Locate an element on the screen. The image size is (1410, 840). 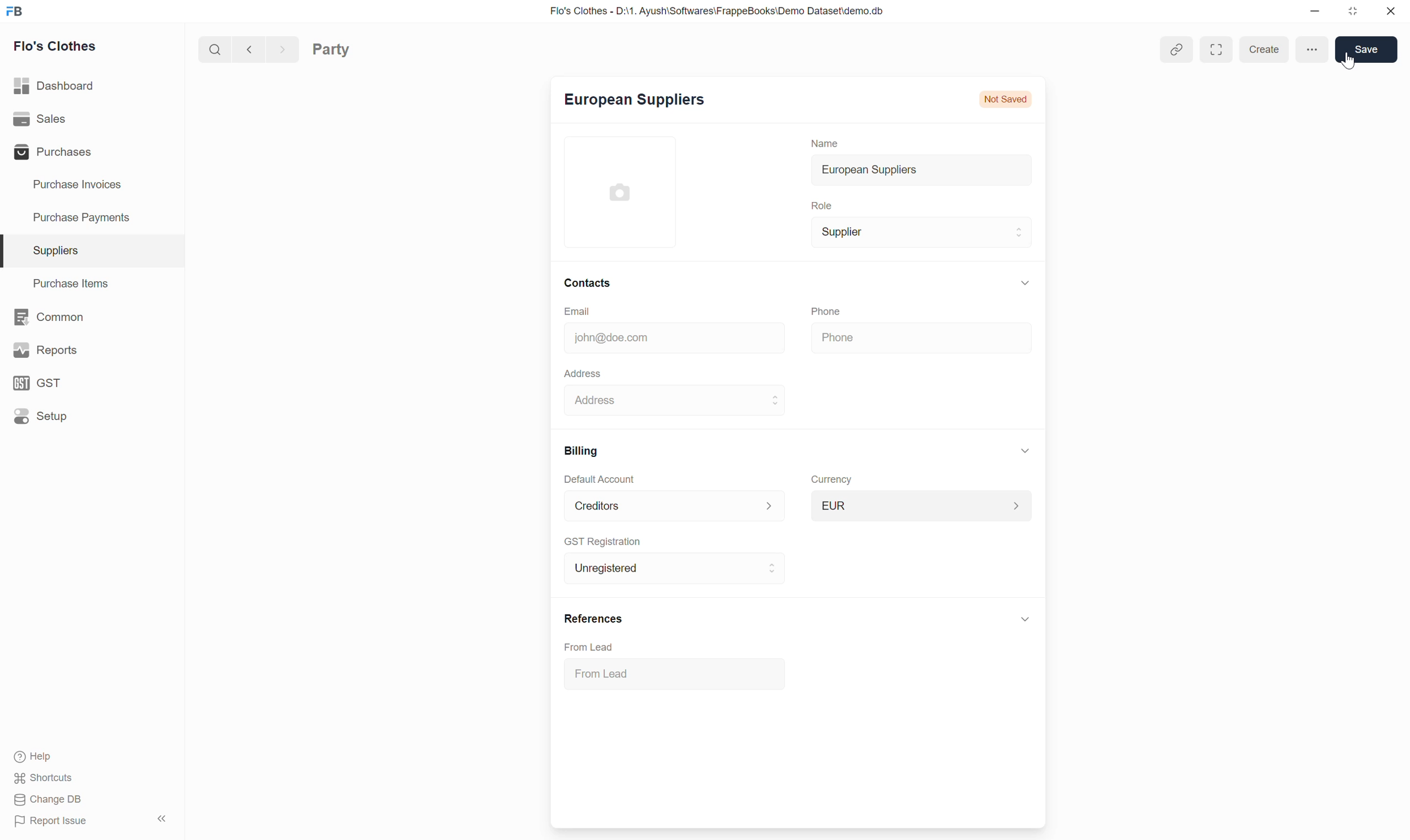
Party is located at coordinates (350, 48).